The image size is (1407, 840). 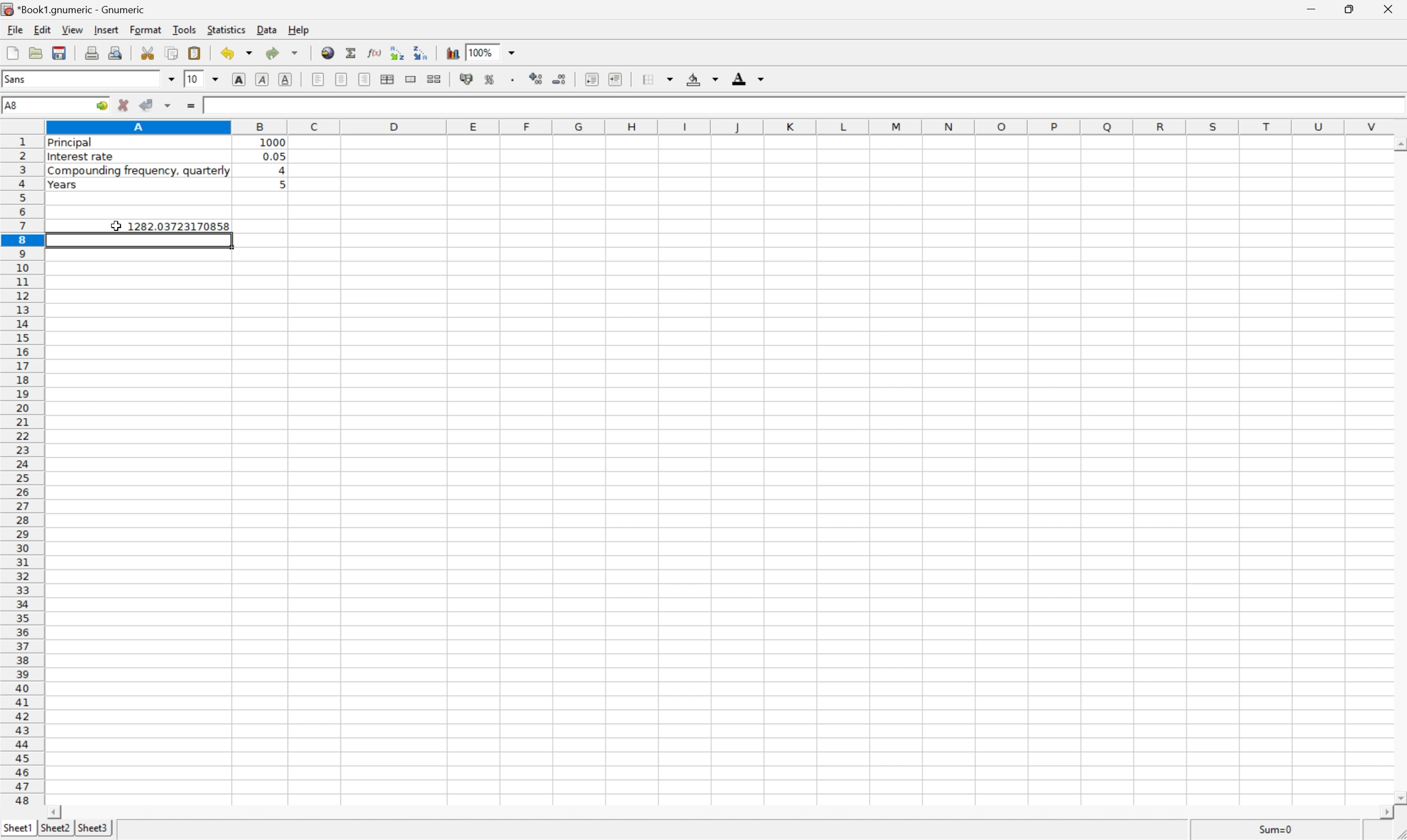 I want to click on print preview, so click(x=116, y=53).